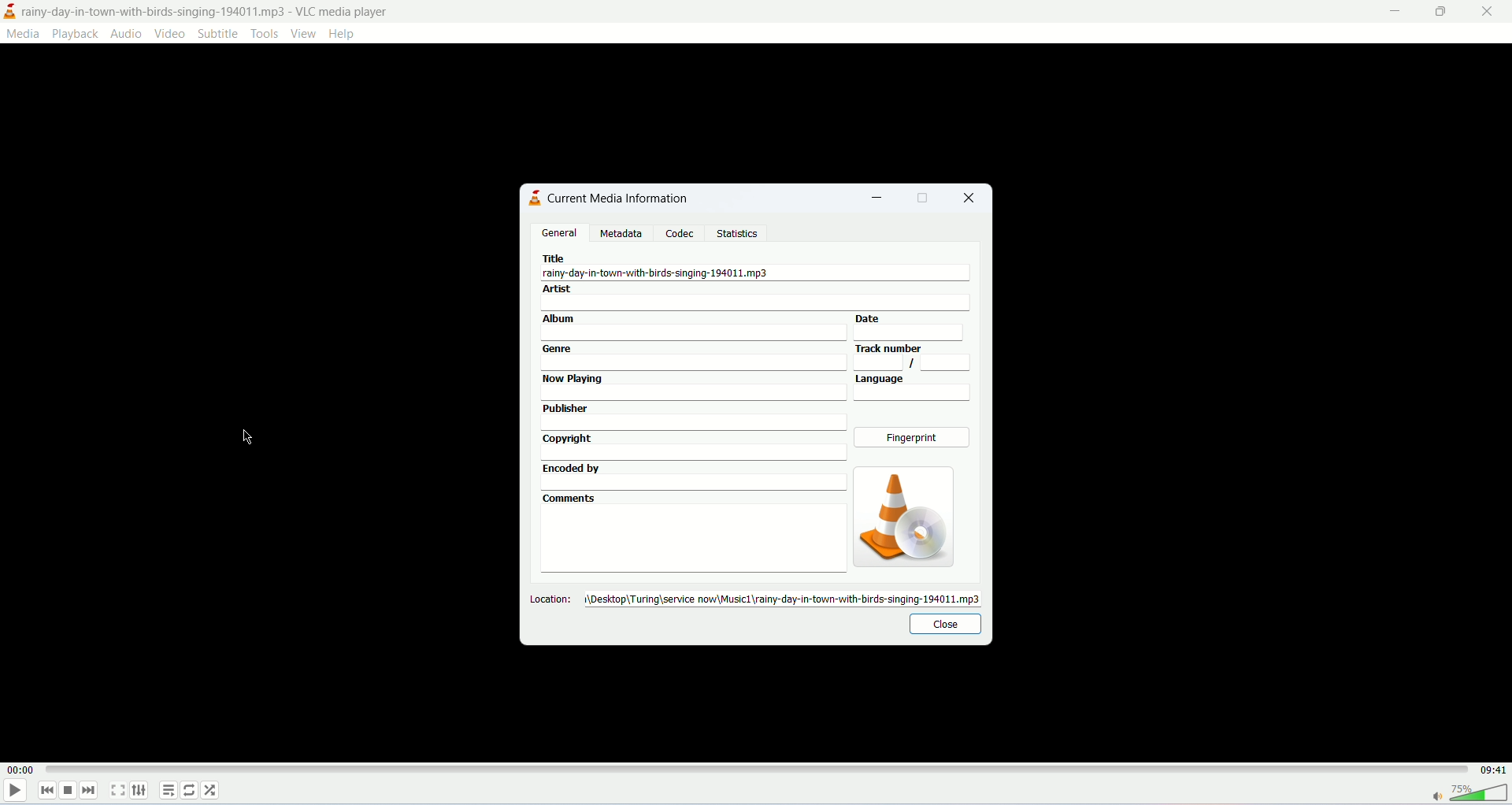  I want to click on statistics, so click(739, 235).